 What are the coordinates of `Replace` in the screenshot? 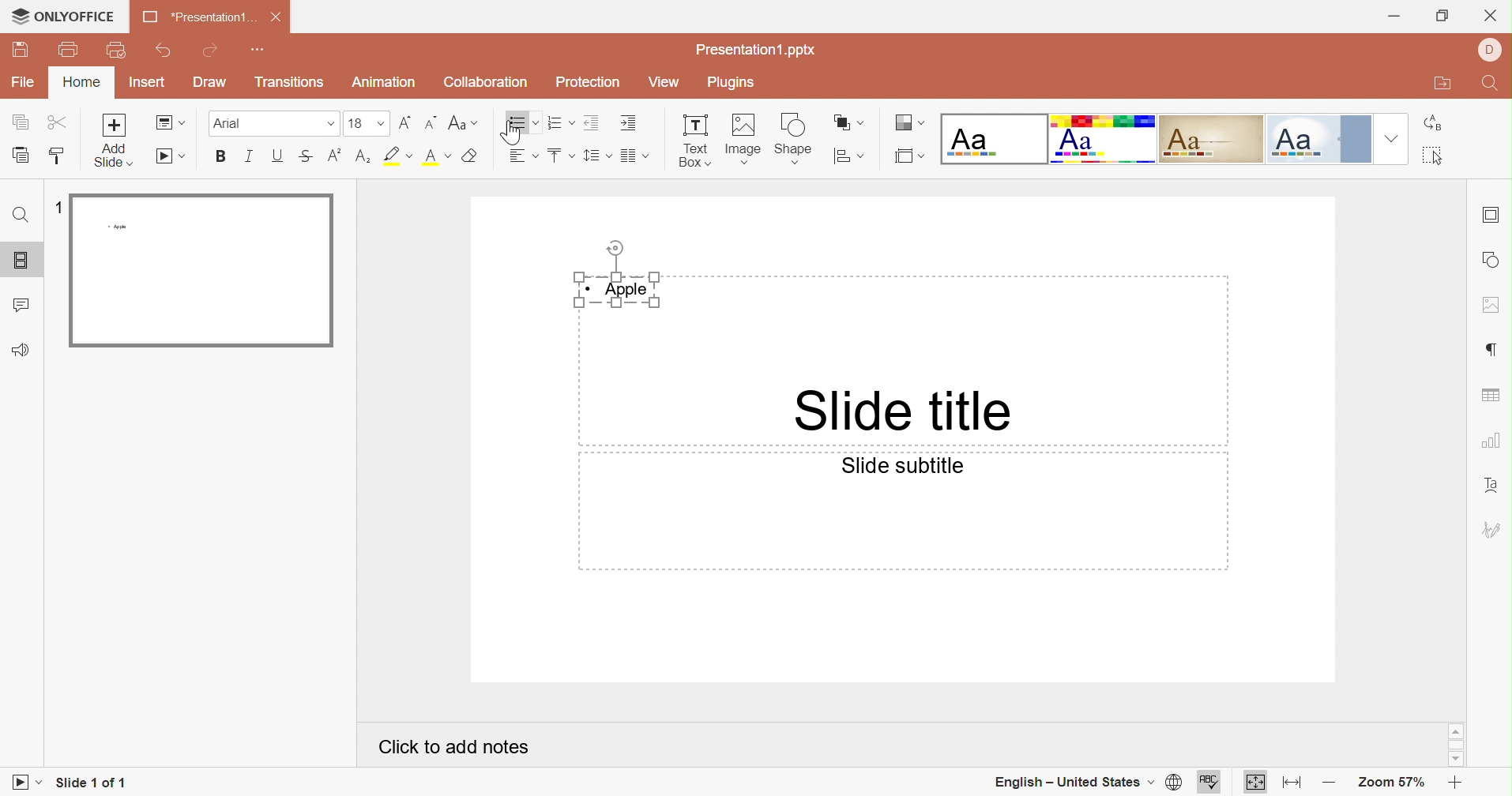 It's located at (1437, 126).